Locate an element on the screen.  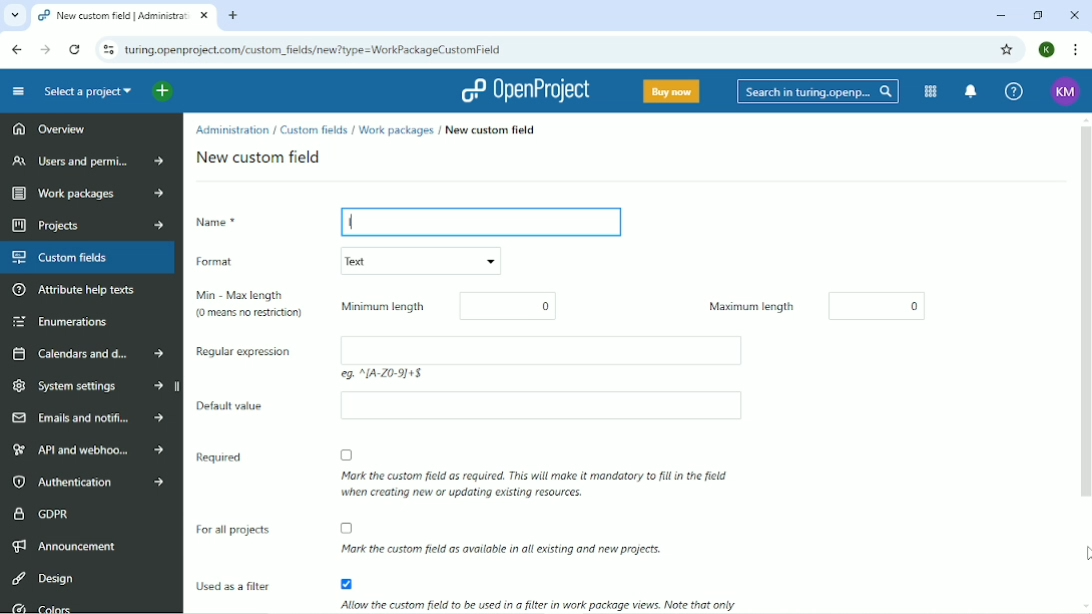
Mark the custom field as required. THis will make it mandatory to fill in the field when creating new or updating existing resources is located at coordinates (525, 471).